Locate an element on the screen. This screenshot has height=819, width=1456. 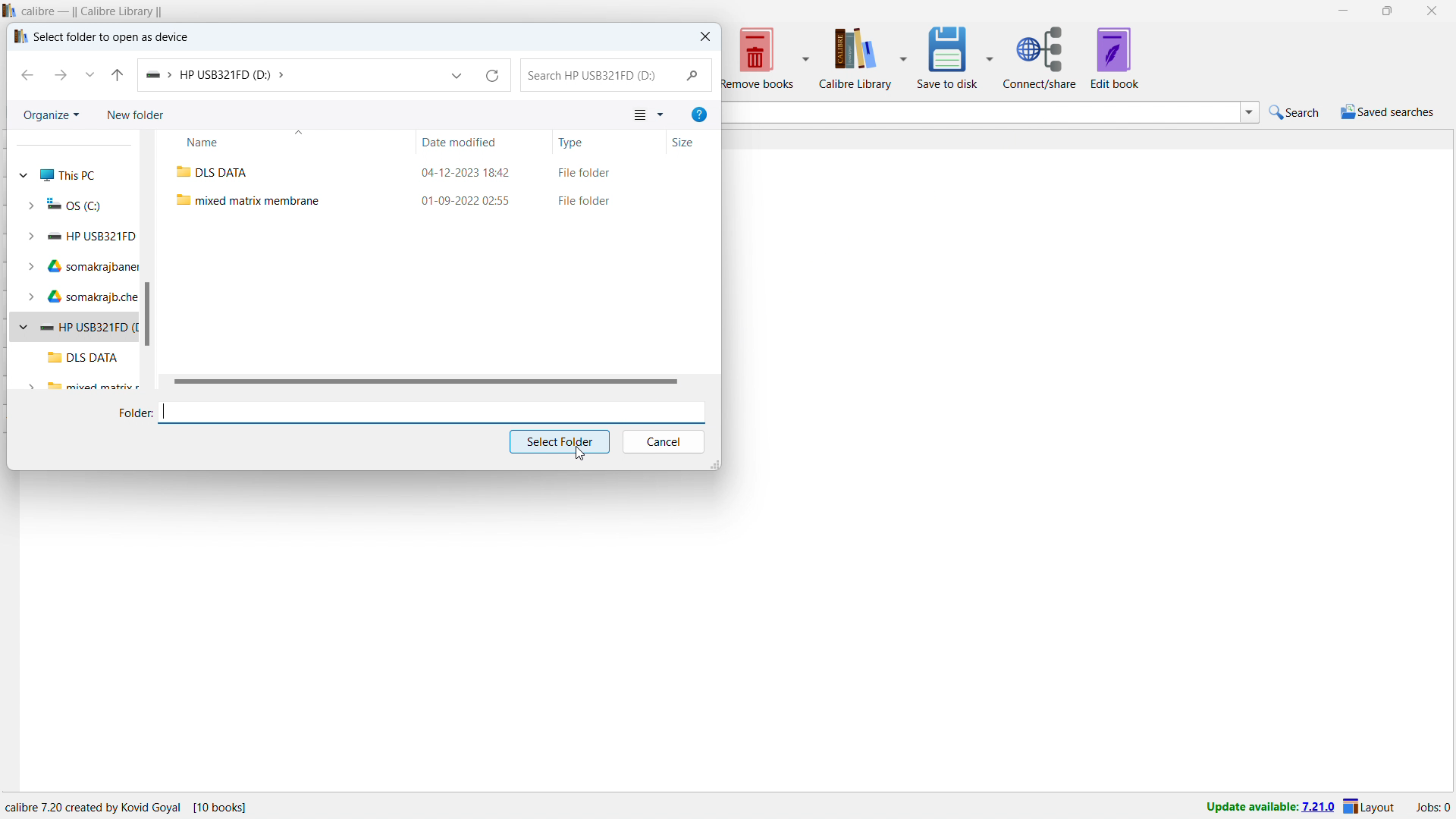
folder address is located at coordinates (288, 76).